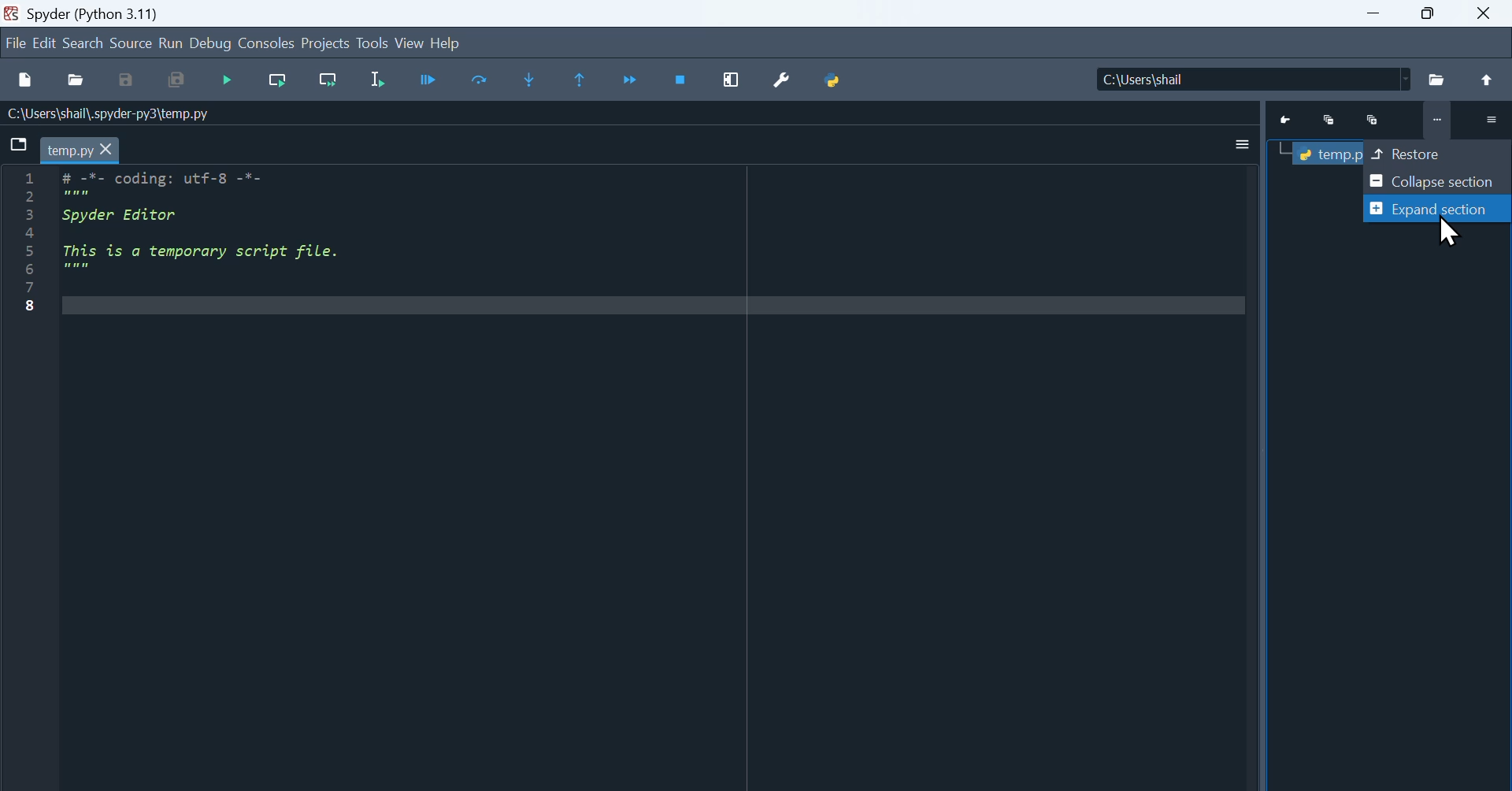  Describe the element at coordinates (782, 81) in the screenshot. I see `Preferences` at that location.